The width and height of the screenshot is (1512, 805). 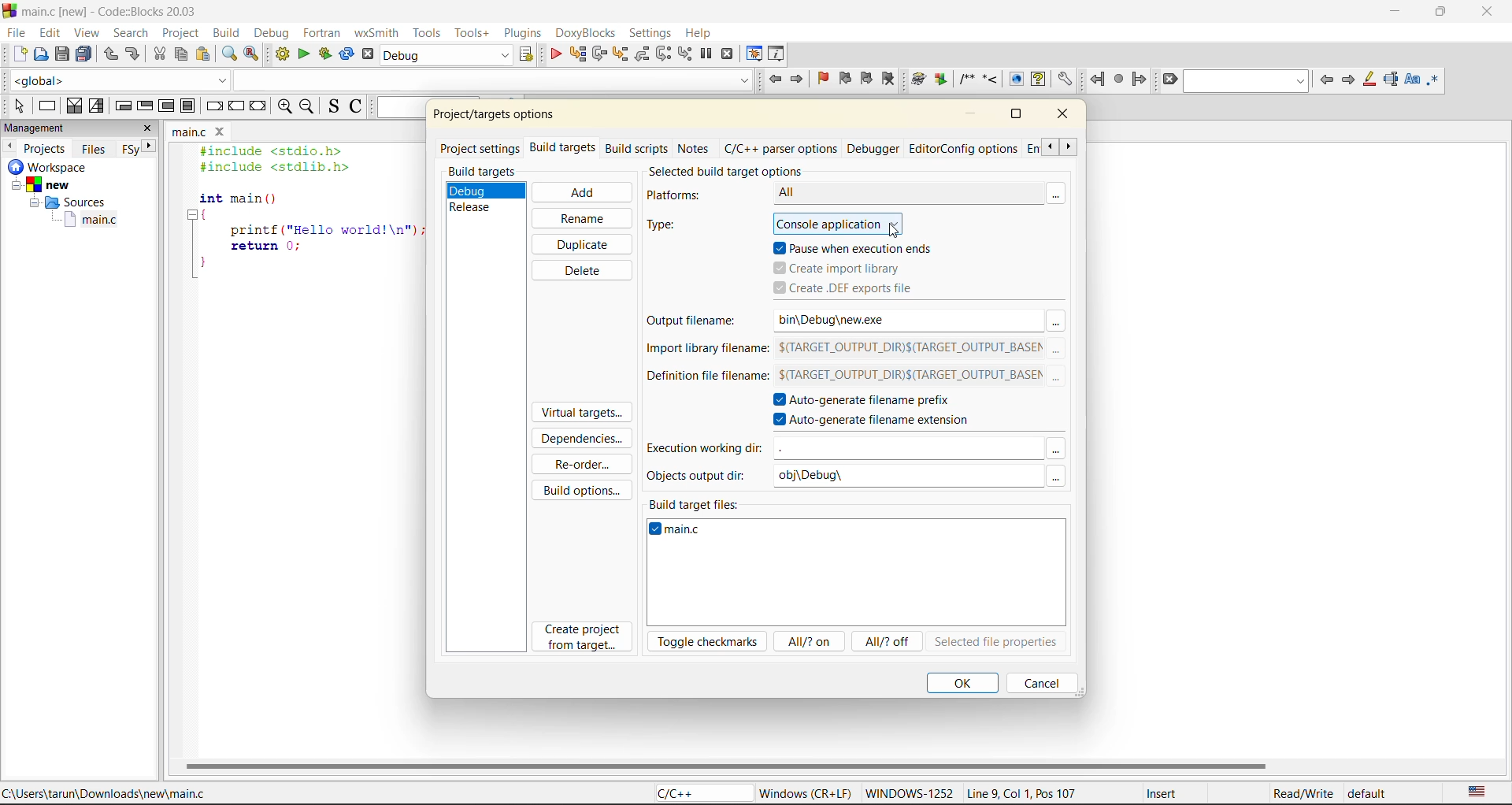 I want to click on save everytime, so click(x=83, y=54).